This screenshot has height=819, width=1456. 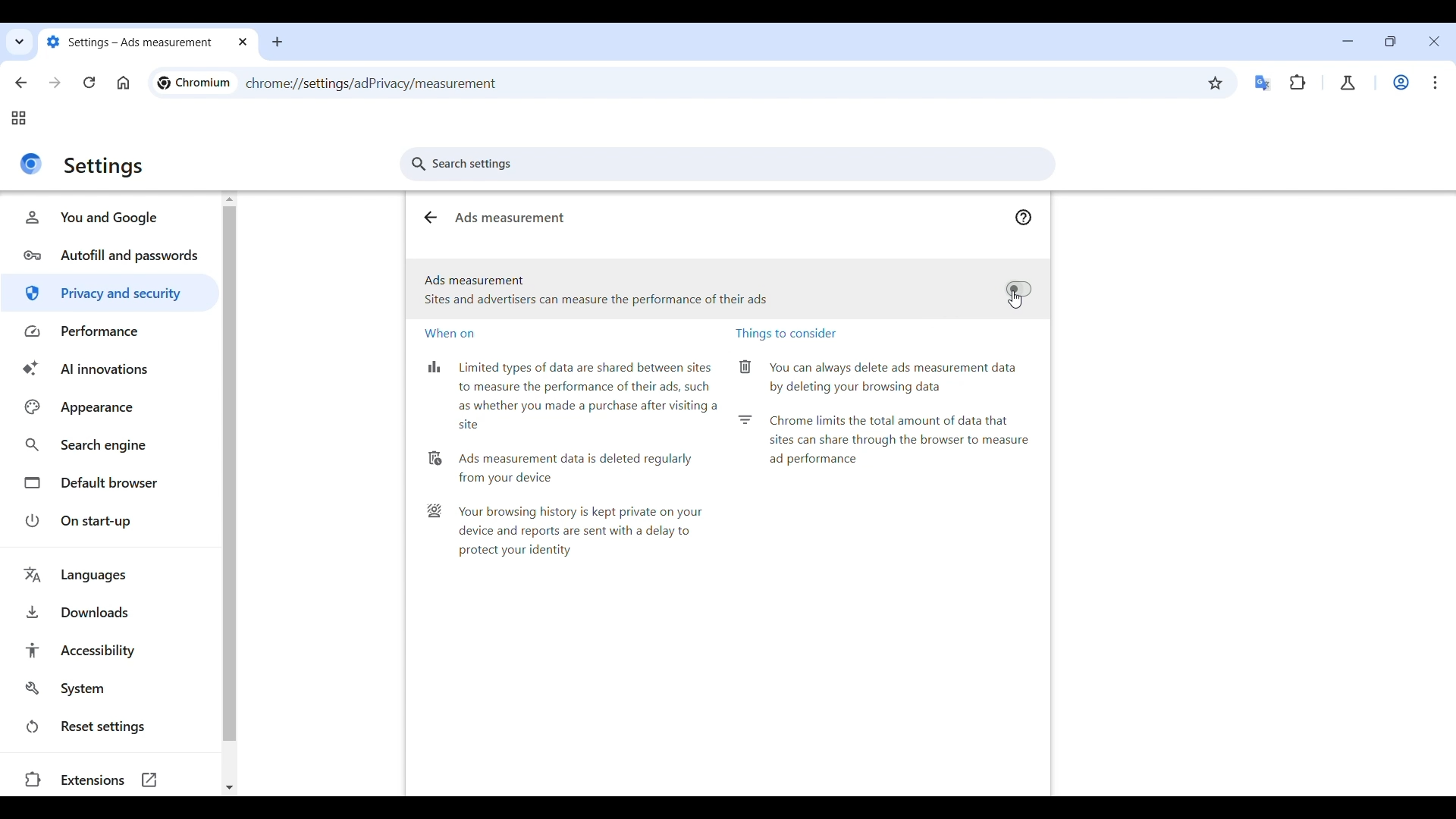 What do you see at coordinates (109, 483) in the screenshot?
I see `Default browser` at bounding box center [109, 483].